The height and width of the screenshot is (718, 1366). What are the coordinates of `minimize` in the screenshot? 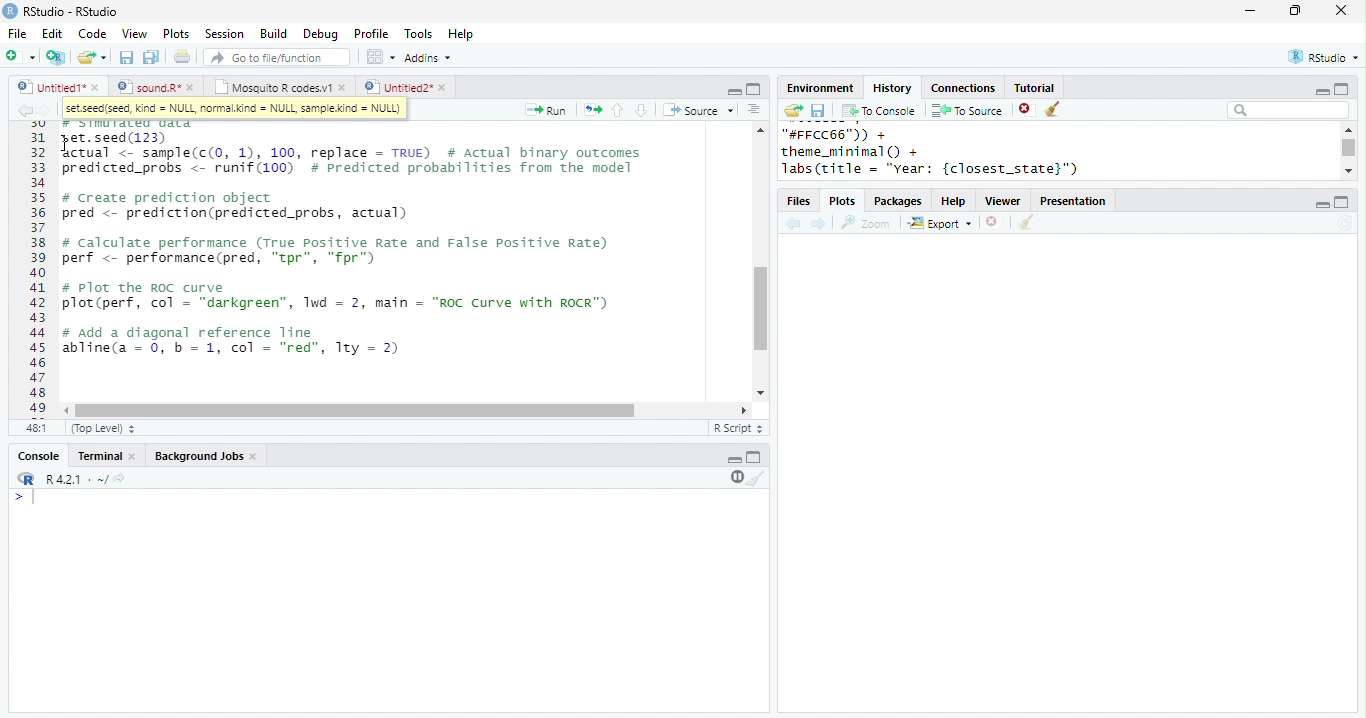 It's located at (1249, 10).